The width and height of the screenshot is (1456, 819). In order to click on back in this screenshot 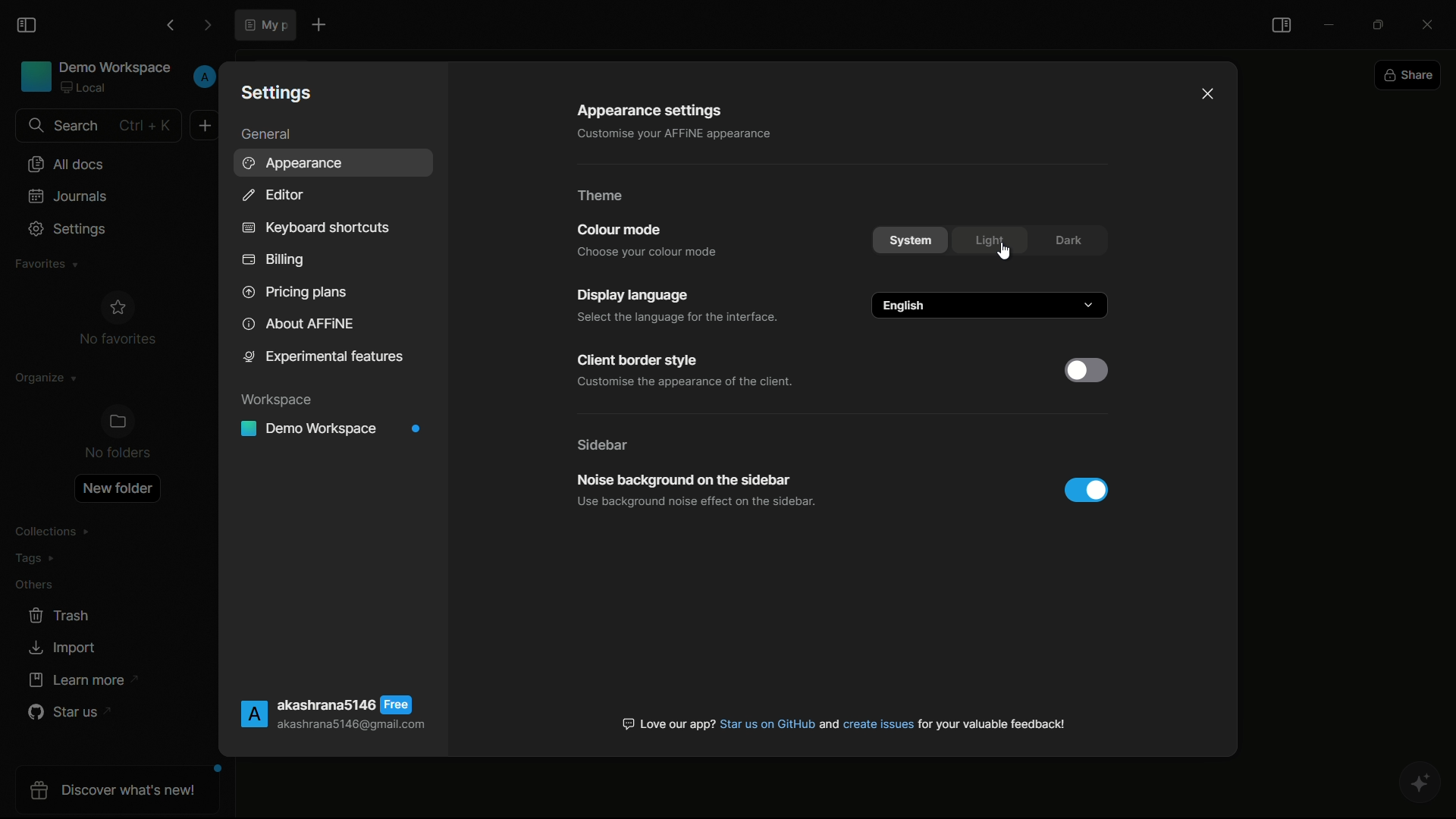, I will do `click(170, 26)`.